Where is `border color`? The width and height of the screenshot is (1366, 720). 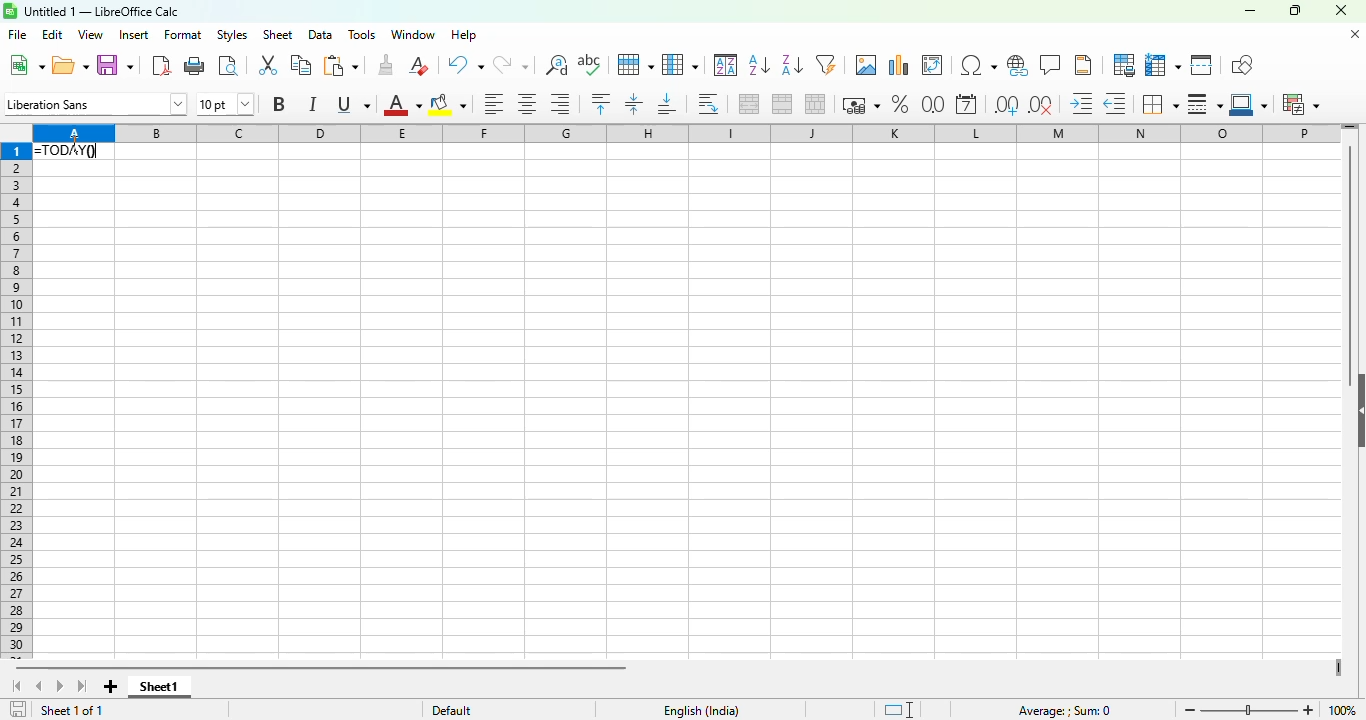 border color is located at coordinates (1250, 105).